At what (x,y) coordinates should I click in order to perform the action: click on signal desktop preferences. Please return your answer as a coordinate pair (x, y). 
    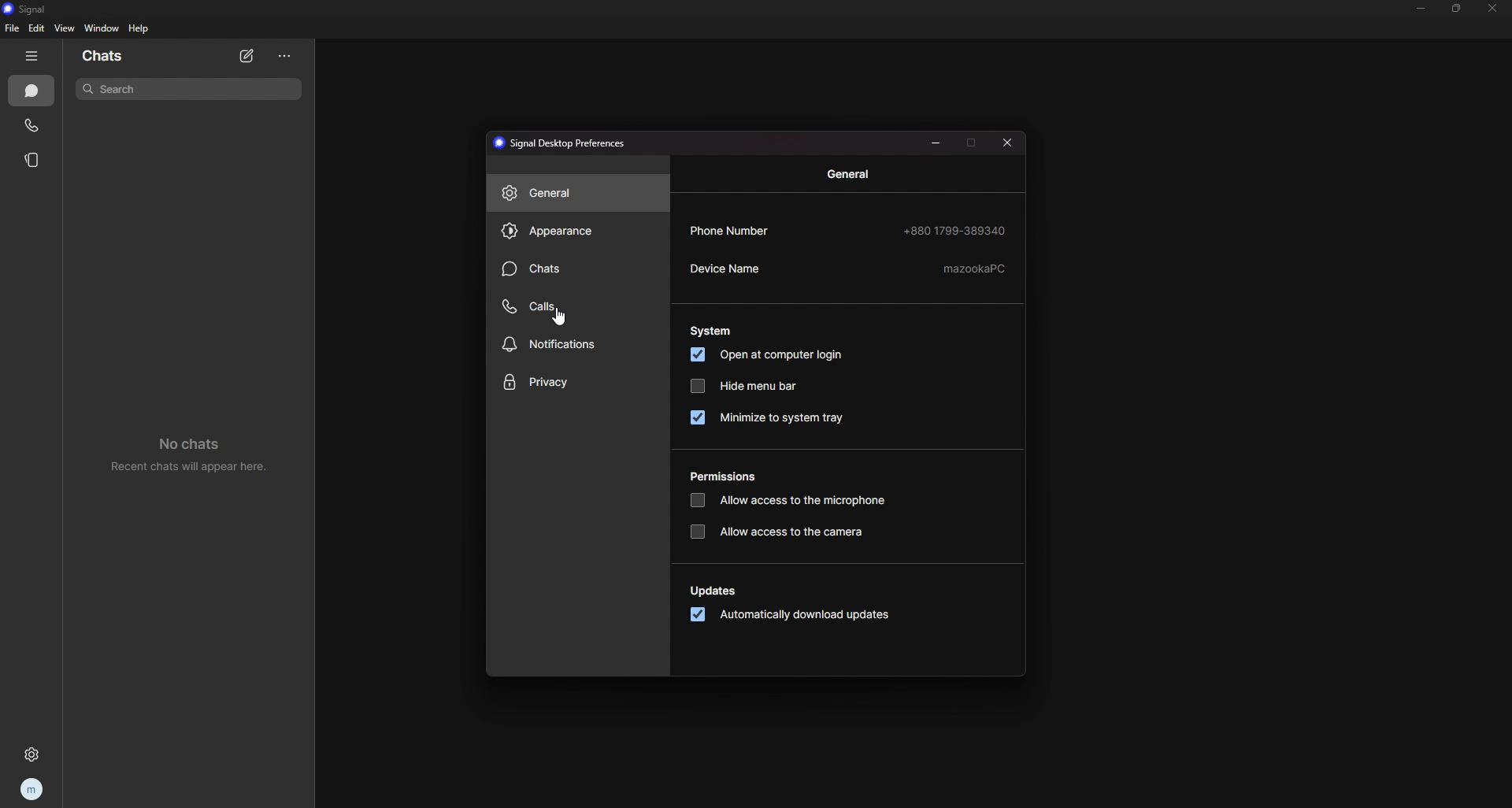
    Looking at the image, I should click on (564, 143).